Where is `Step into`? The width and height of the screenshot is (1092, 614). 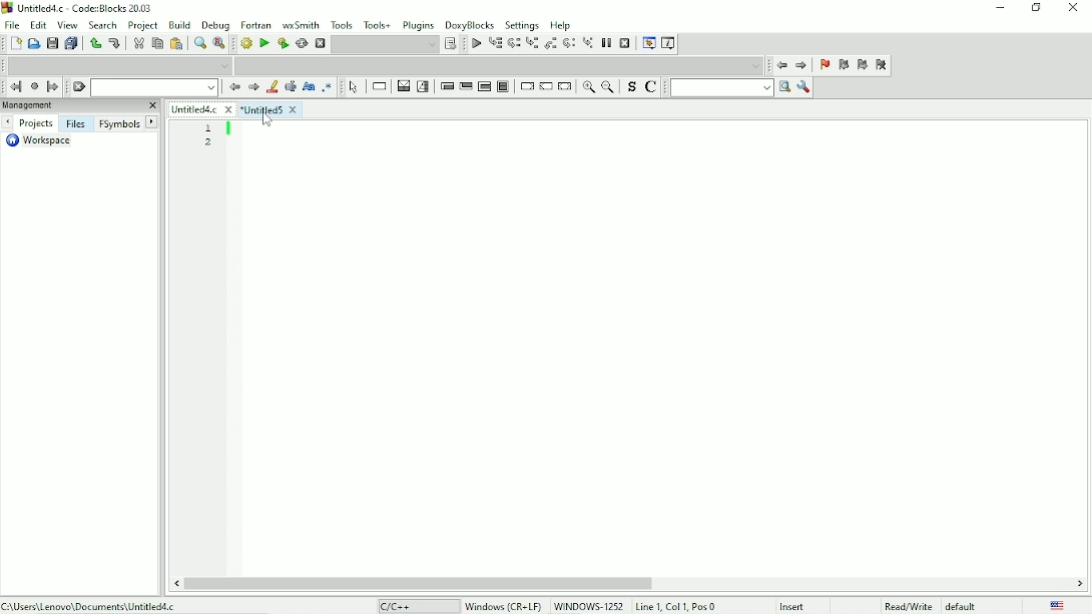 Step into is located at coordinates (532, 44).